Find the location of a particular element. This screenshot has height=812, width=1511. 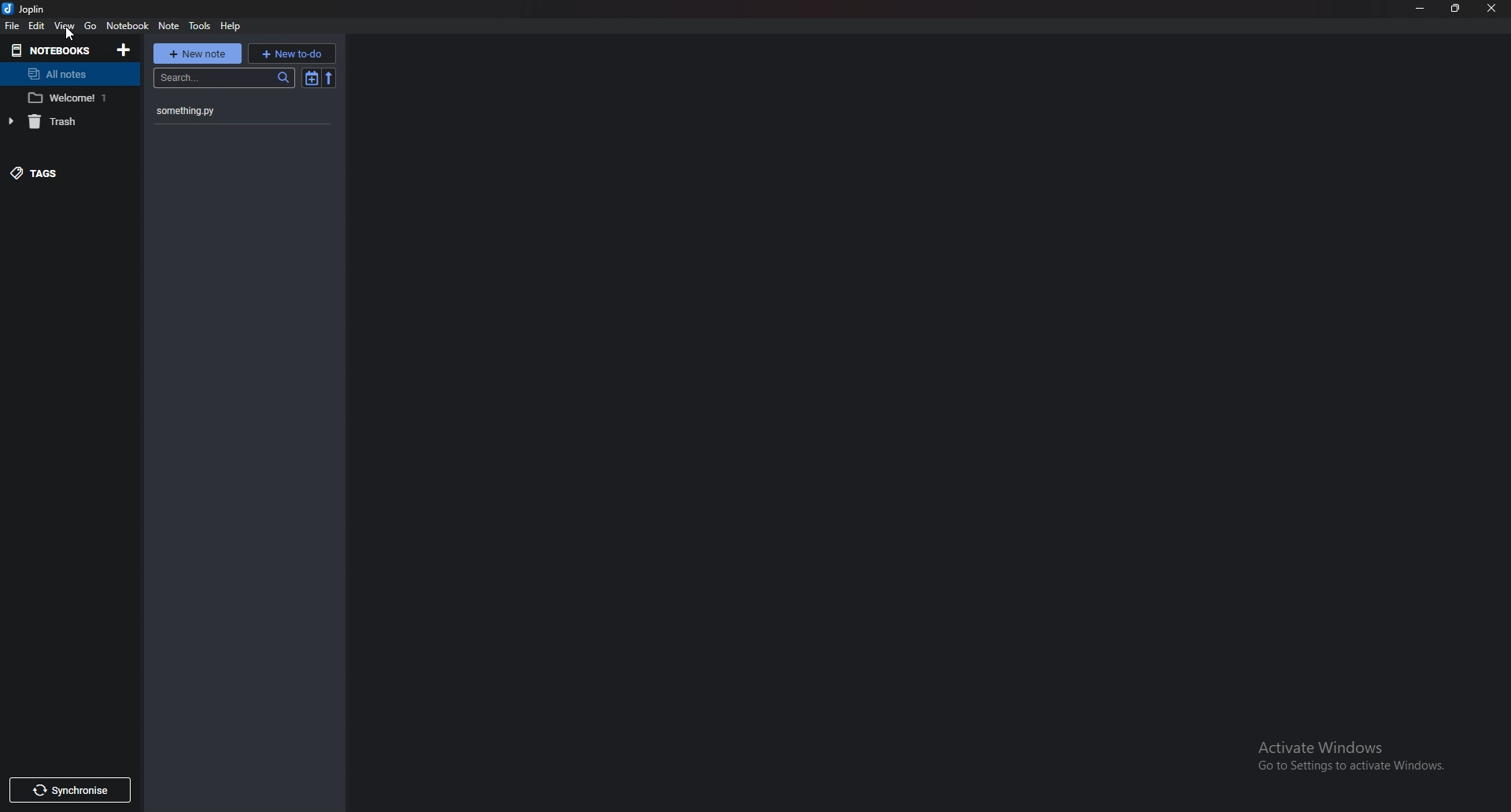

help is located at coordinates (231, 28).